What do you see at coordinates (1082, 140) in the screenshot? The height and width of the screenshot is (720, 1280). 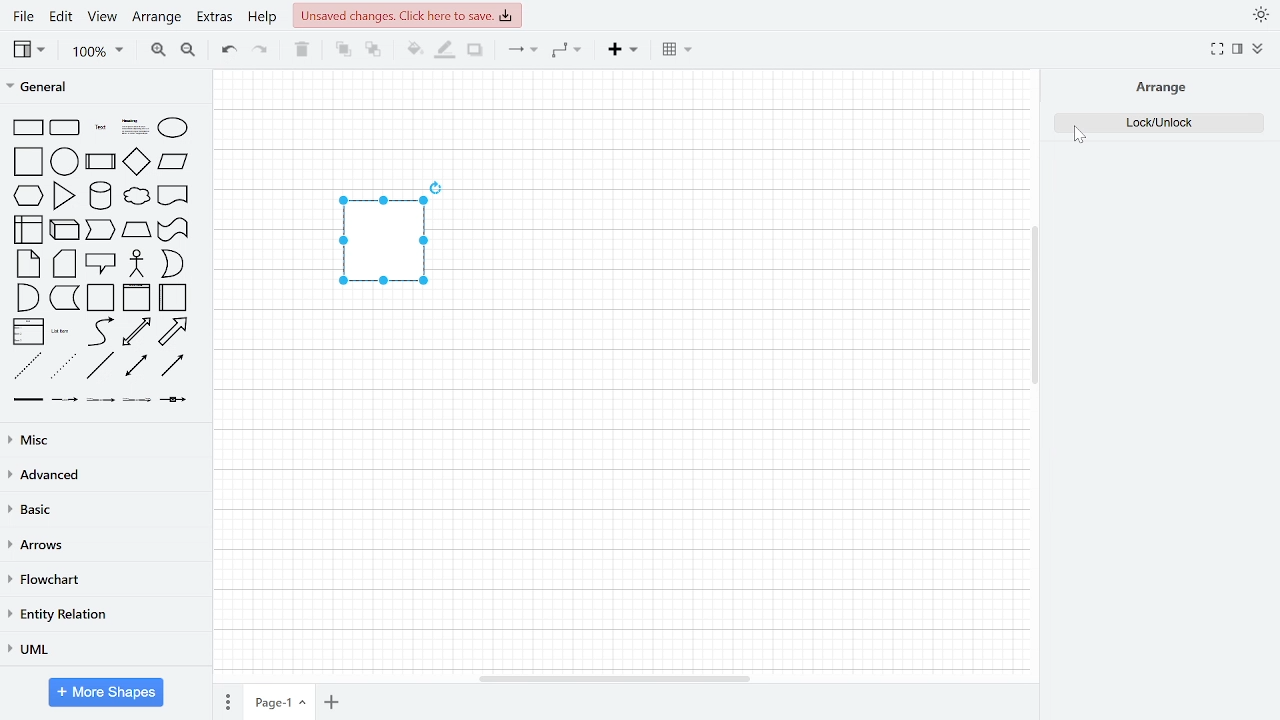 I see `cursor` at bounding box center [1082, 140].